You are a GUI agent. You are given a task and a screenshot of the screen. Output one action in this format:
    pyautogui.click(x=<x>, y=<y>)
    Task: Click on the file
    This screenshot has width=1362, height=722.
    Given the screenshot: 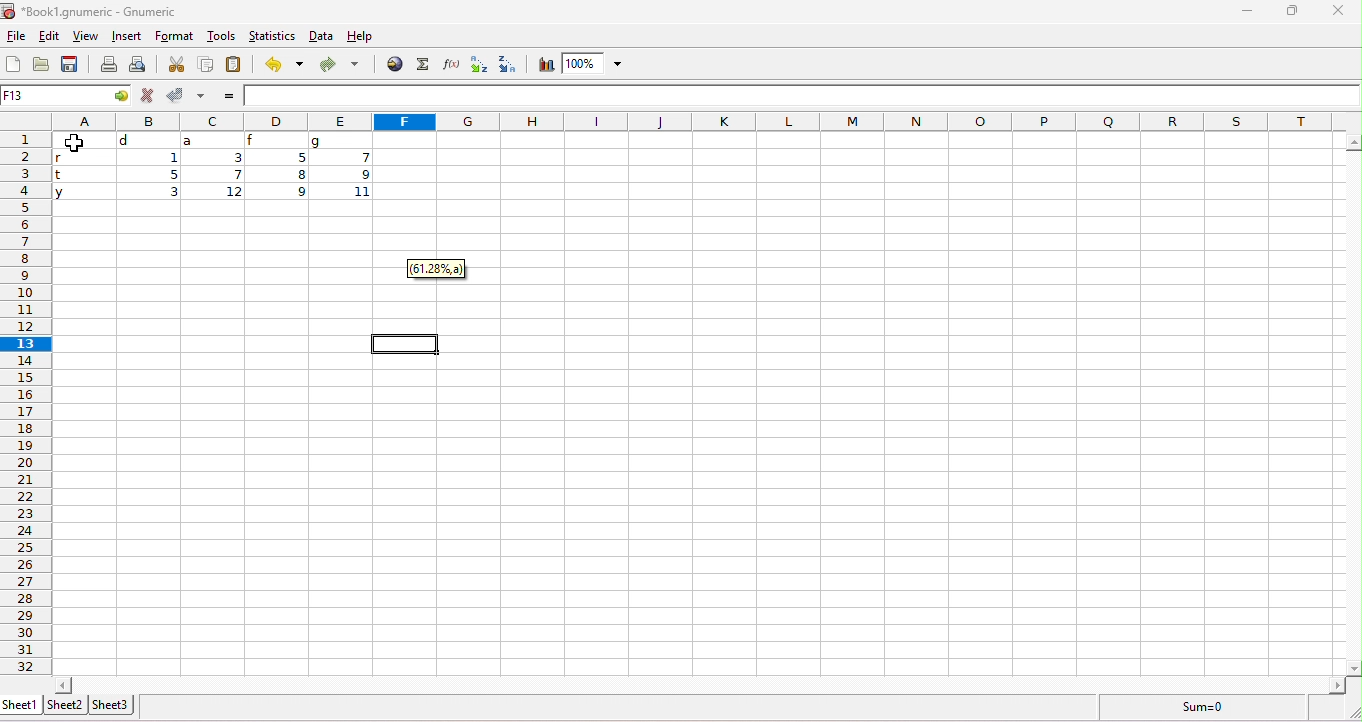 What is the action you would take?
    pyautogui.click(x=14, y=36)
    